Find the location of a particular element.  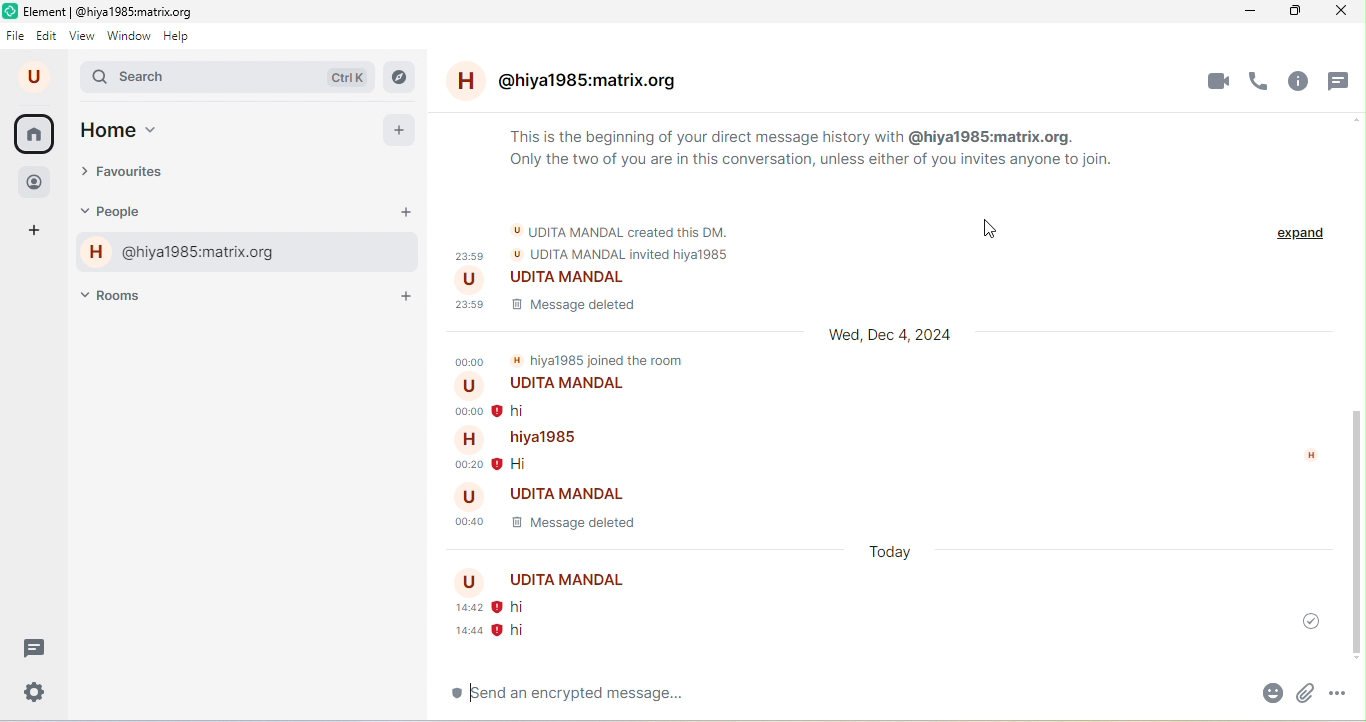

message deleted is located at coordinates (577, 524).